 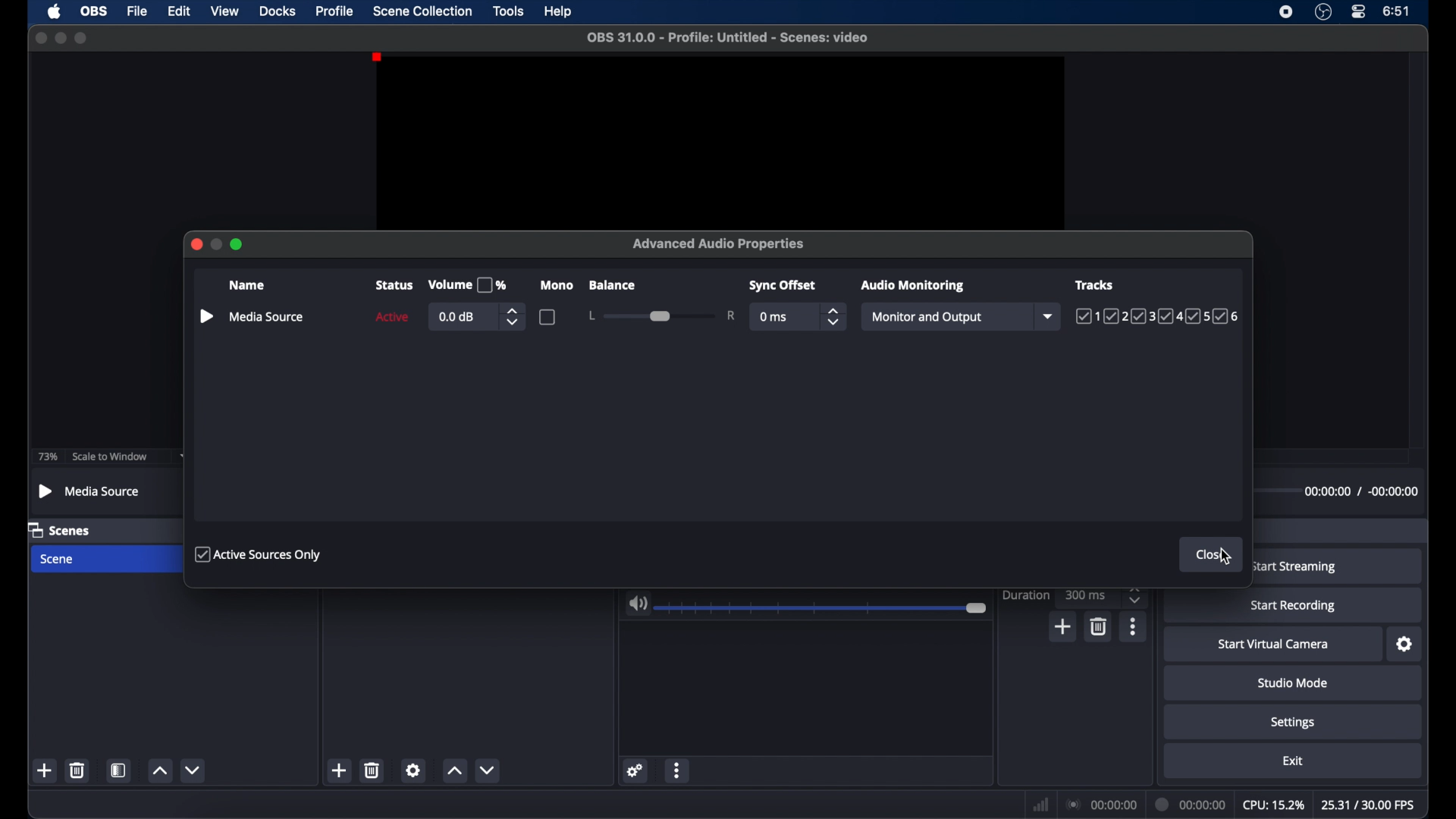 I want to click on add, so click(x=45, y=770).